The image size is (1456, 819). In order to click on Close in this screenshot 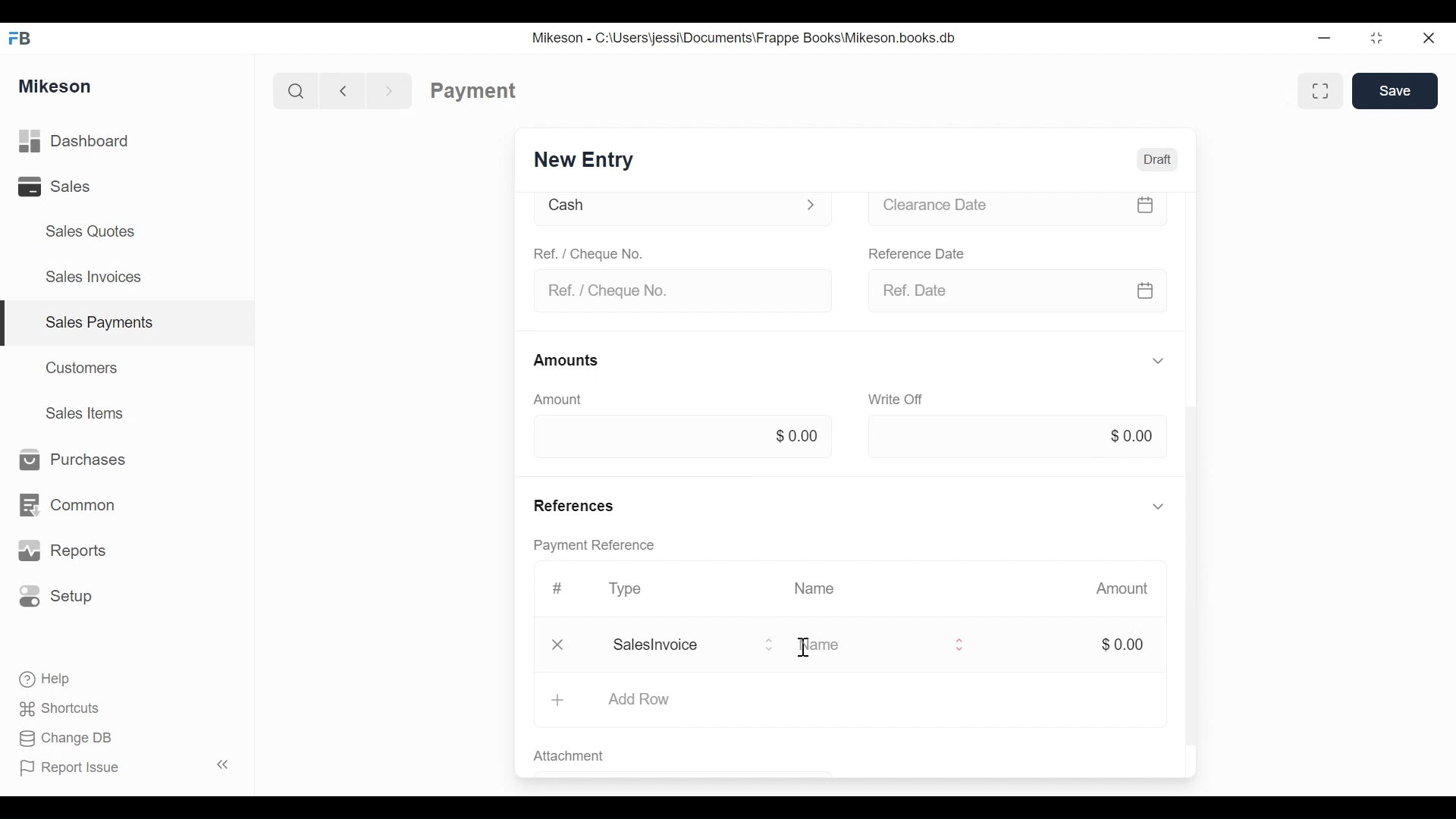, I will do `click(557, 645)`.